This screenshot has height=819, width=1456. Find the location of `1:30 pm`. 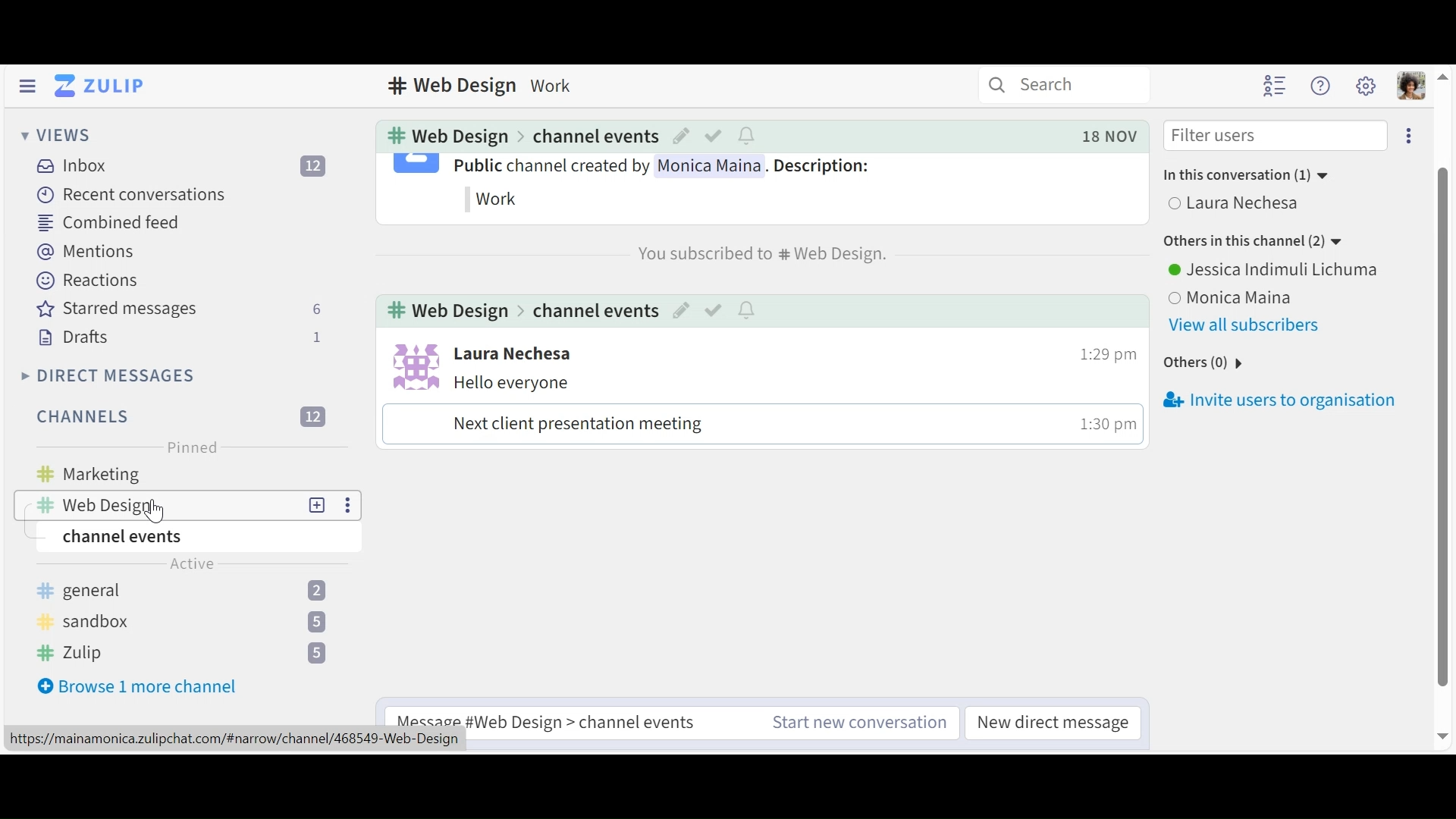

1:30 pm is located at coordinates (1103, 422).